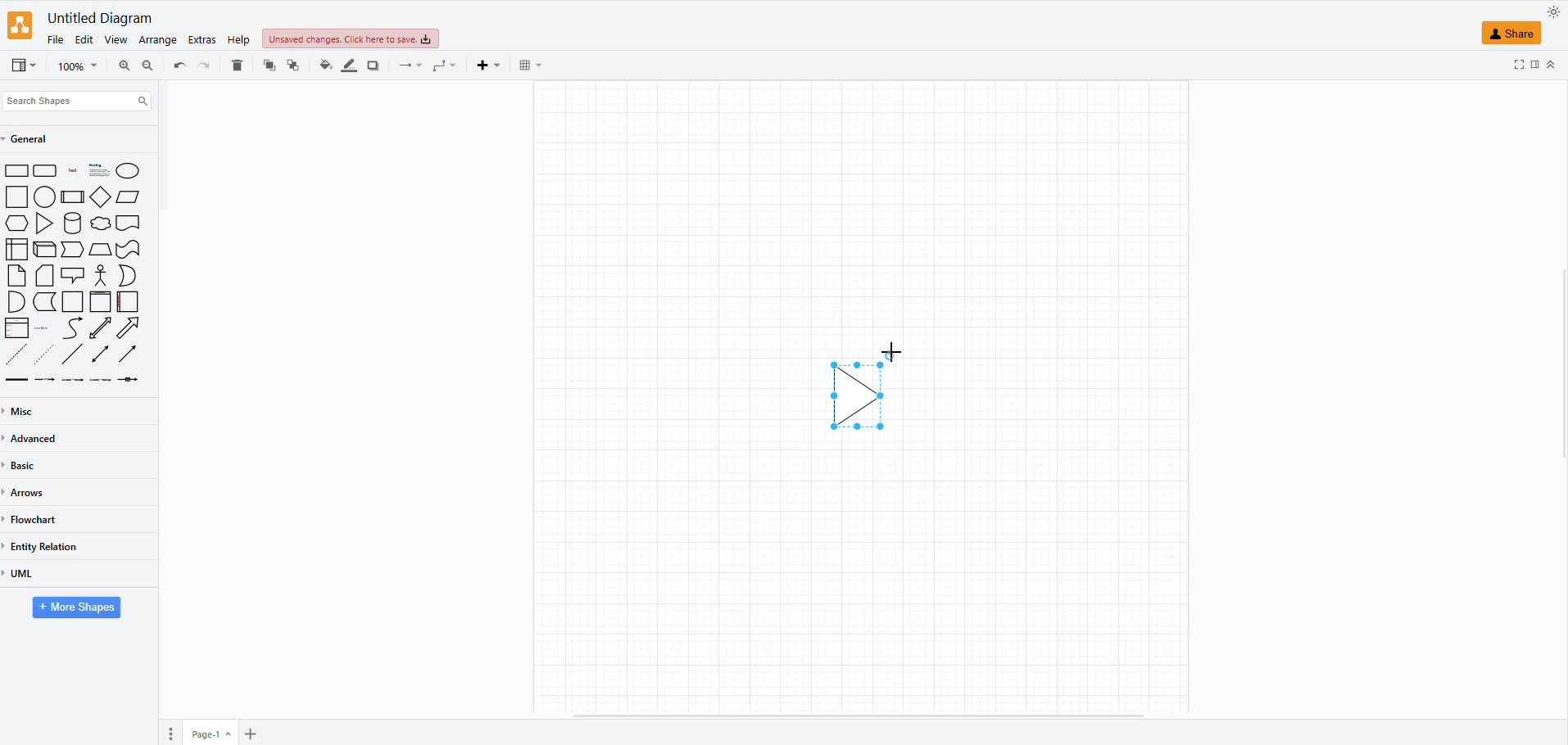  Describe the element at coordinates (15, 301) in the screenshot. I see `Hemisphere` at that location.